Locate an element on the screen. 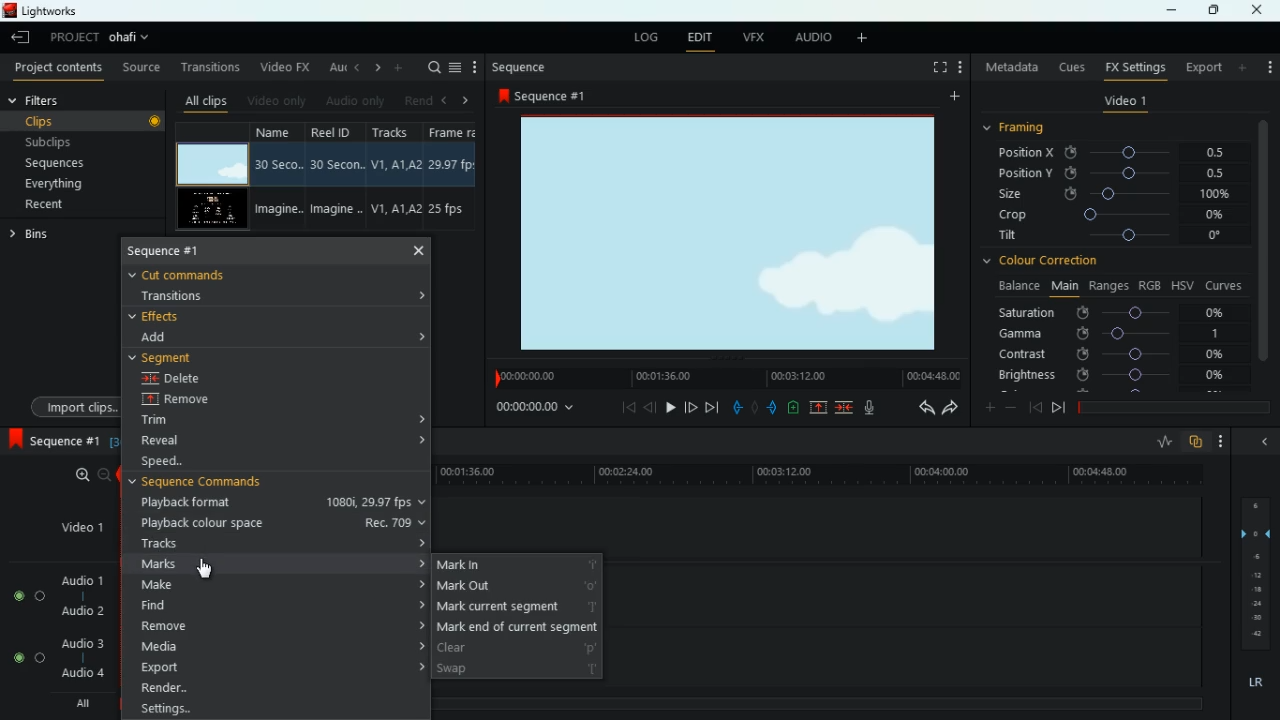  remove is located at coordinates (284, 627).